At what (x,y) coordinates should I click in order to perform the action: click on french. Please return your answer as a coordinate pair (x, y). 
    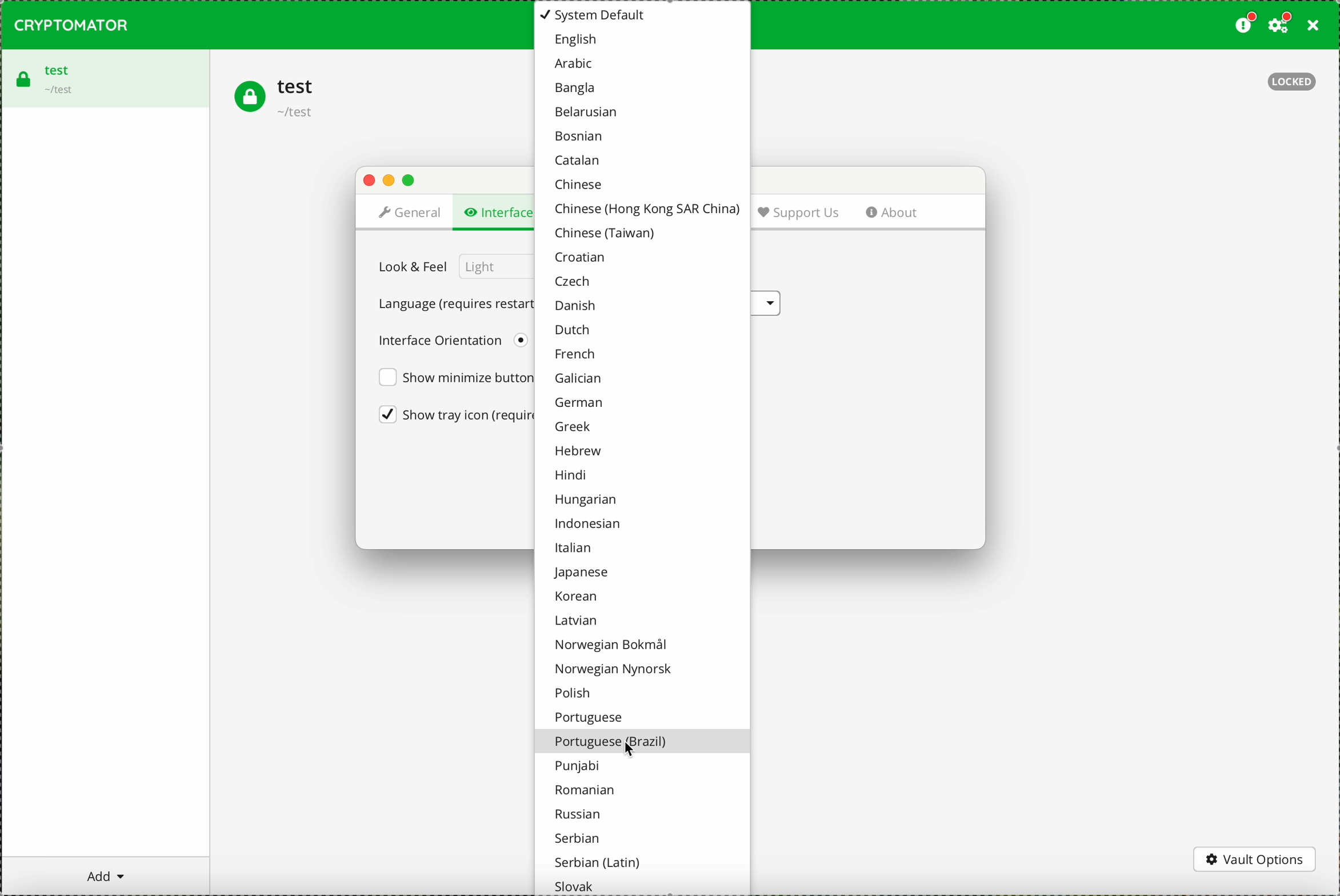
    Looking at the image, I should click on (576, 355).